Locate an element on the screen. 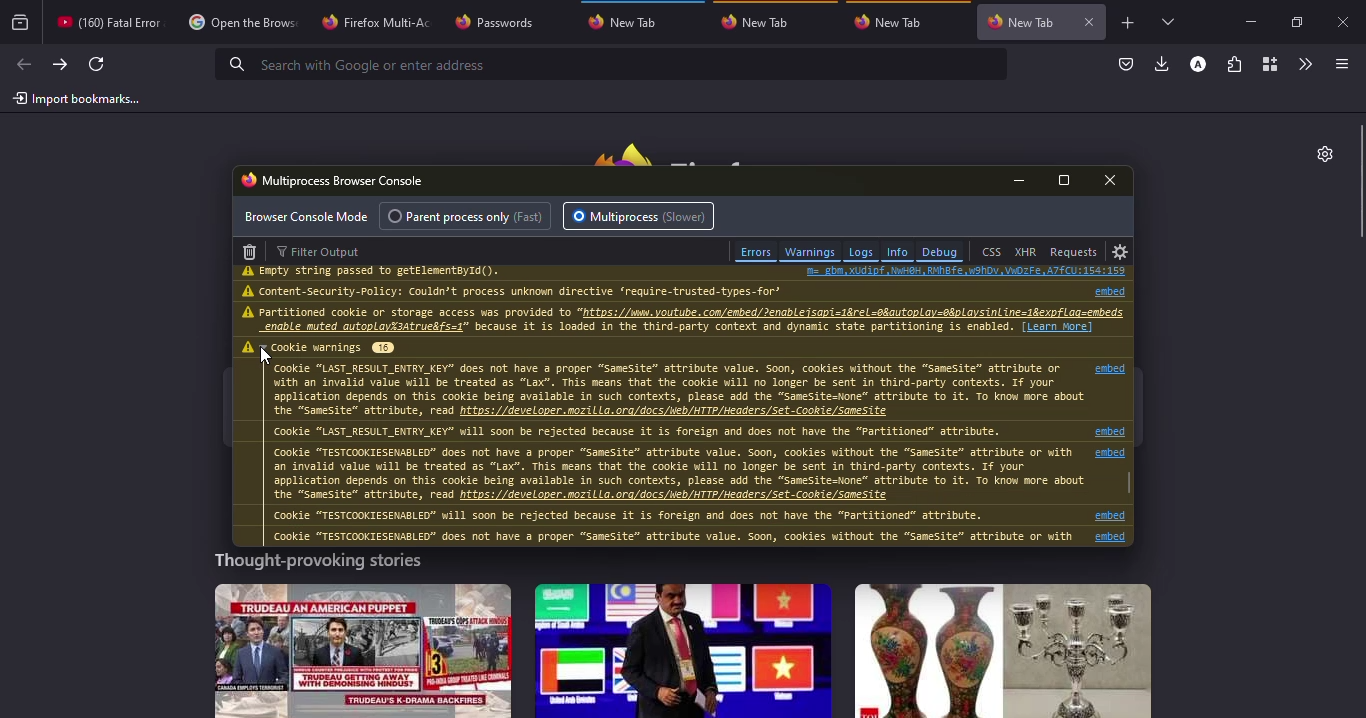 This screenshot has width=1366, height=718. extensions is located at coordinates (1236, 64).